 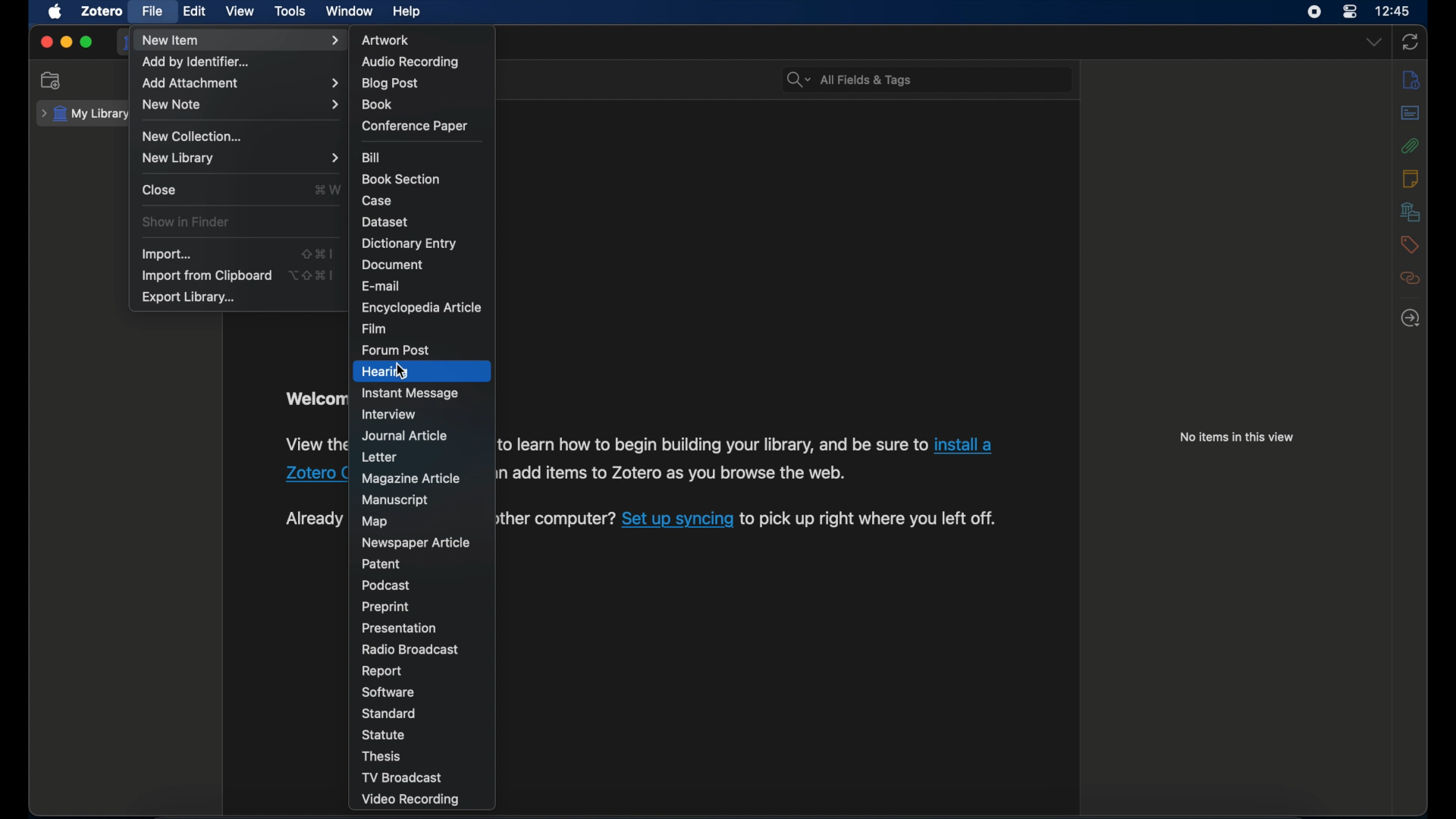 I want to click on my library, so click(x=86, y=115).